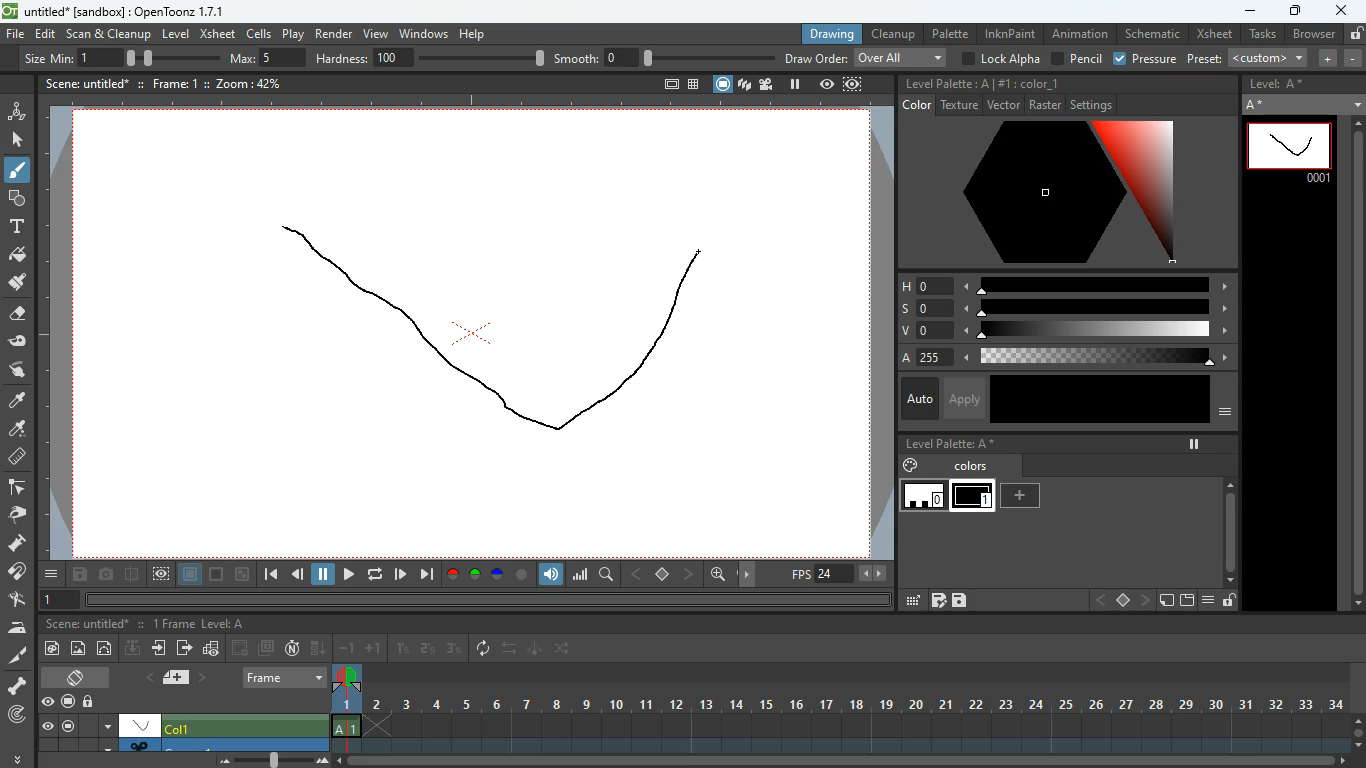 This screenshot has height=768, width=1366. I want to click on middle, so click(1124, 600).